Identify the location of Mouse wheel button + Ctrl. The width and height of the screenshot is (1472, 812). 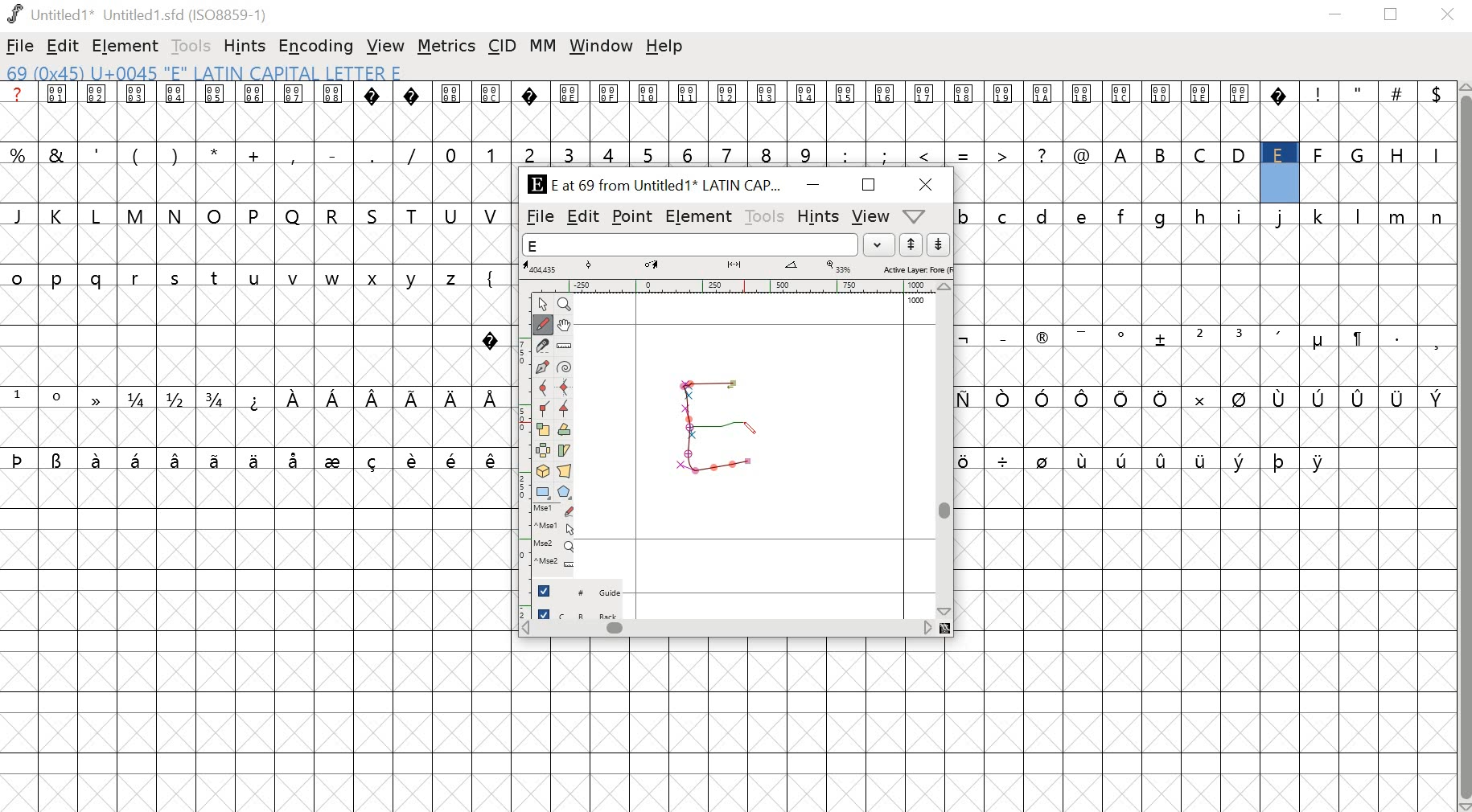
(553, 563).